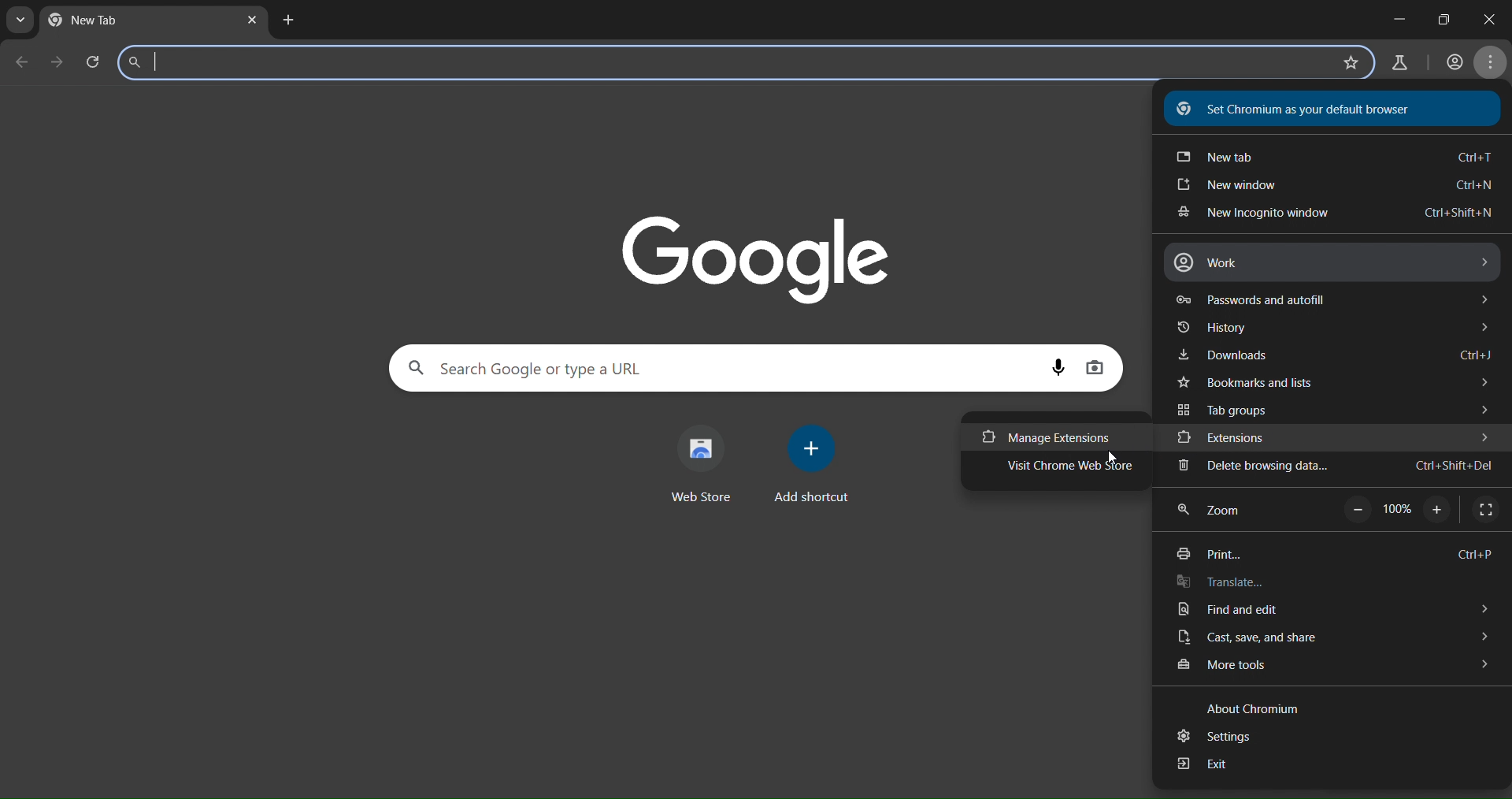 This screenshot has width=1512, height=799. Describe the element at coordinates (1439, 19) in the screenshot. I see `maximize` at that location.